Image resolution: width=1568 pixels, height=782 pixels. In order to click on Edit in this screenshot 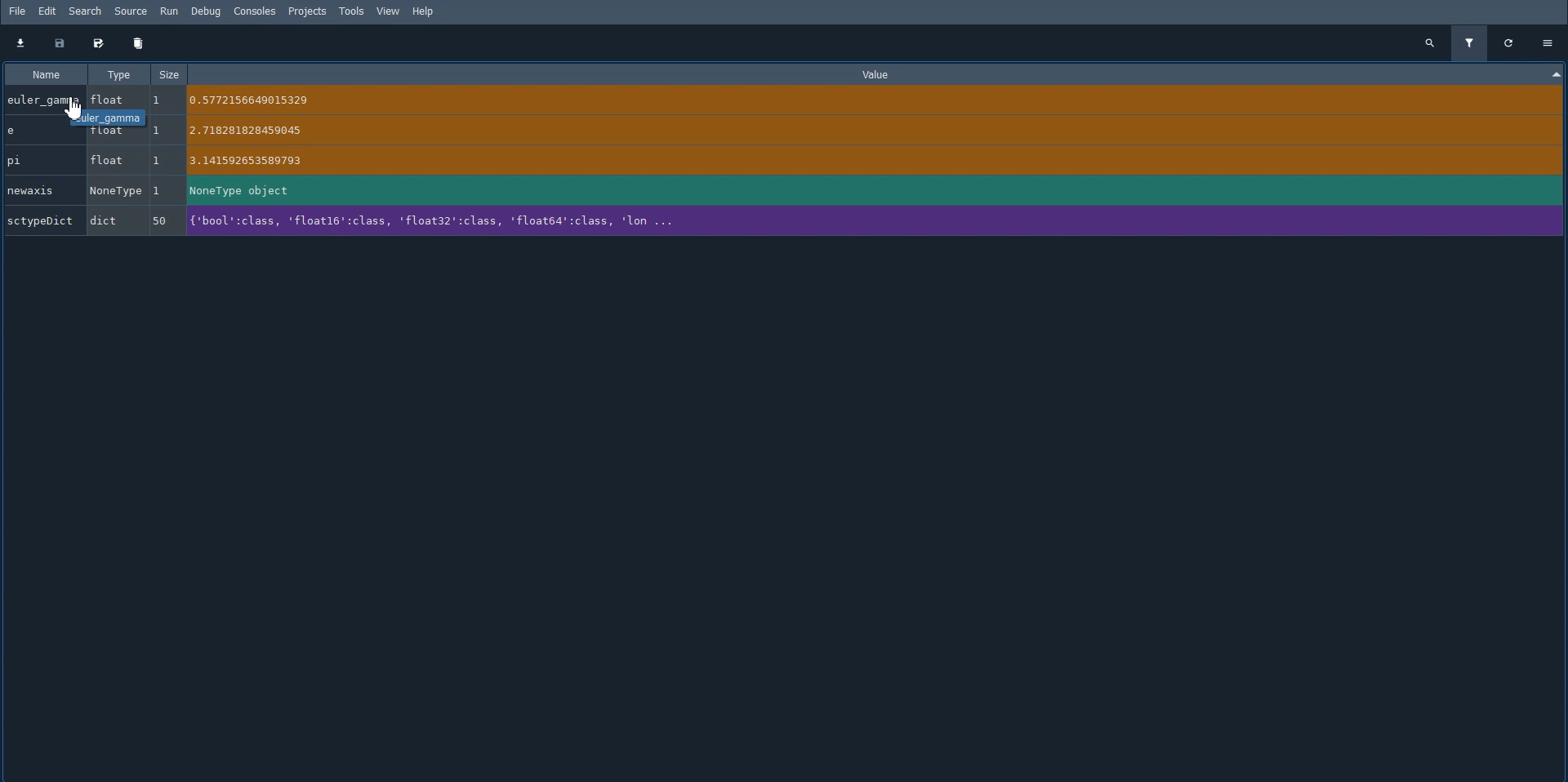, I will do `click(51, 11)`.